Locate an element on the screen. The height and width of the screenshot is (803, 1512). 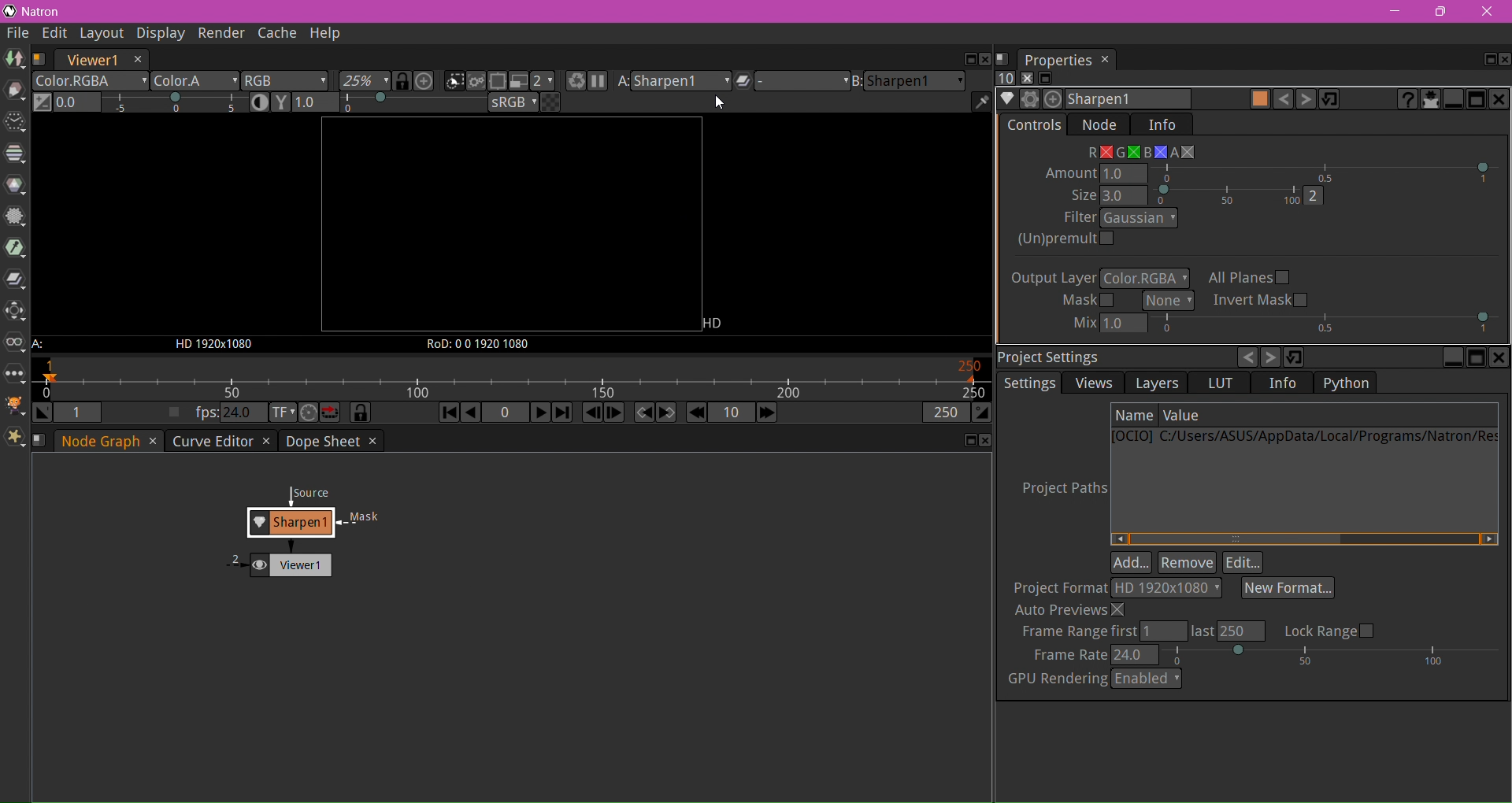
Redo the last change undone to this operator is located at coordinates (1305, 99).